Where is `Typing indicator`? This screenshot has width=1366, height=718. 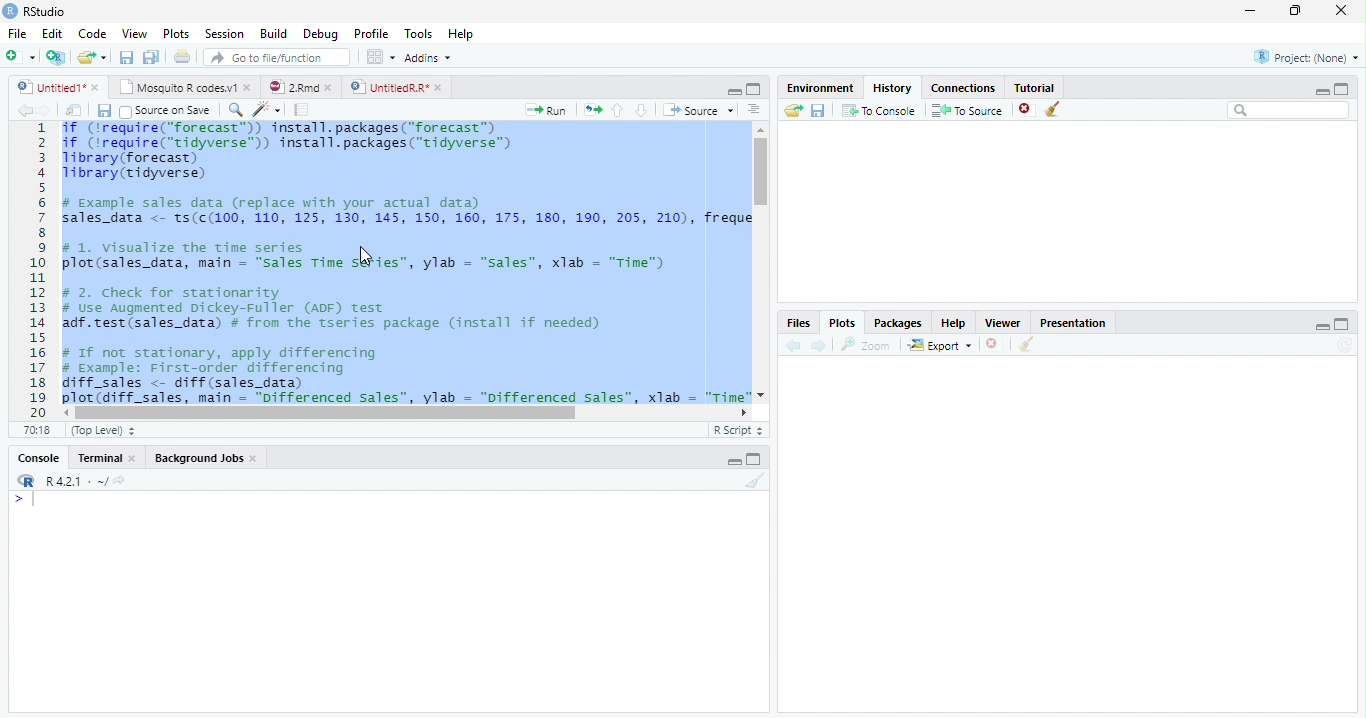 Typing indicator is located at coordinates (28, 502).